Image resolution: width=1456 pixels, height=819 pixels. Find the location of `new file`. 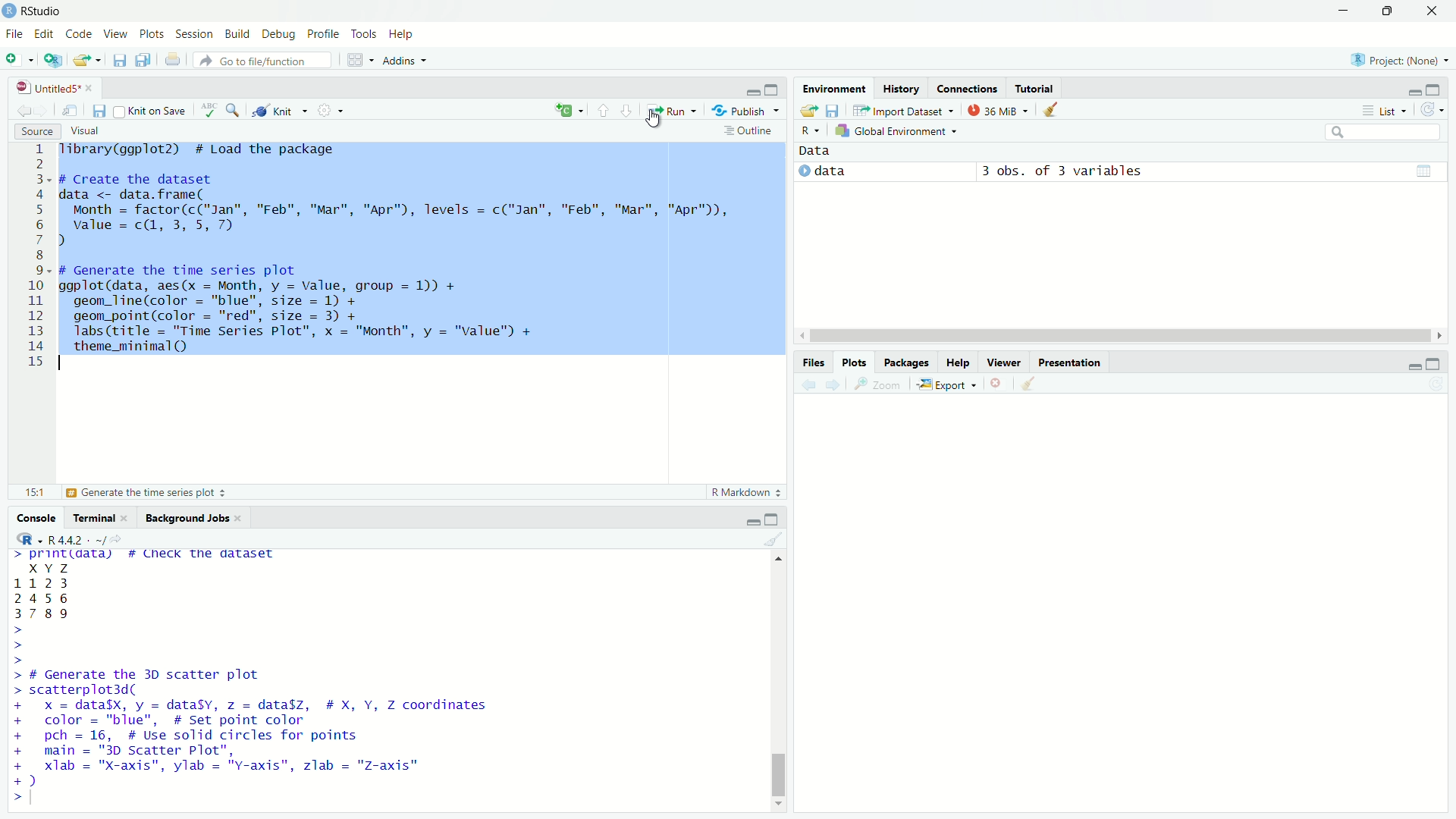

new file is located at coordinates (19, 59).